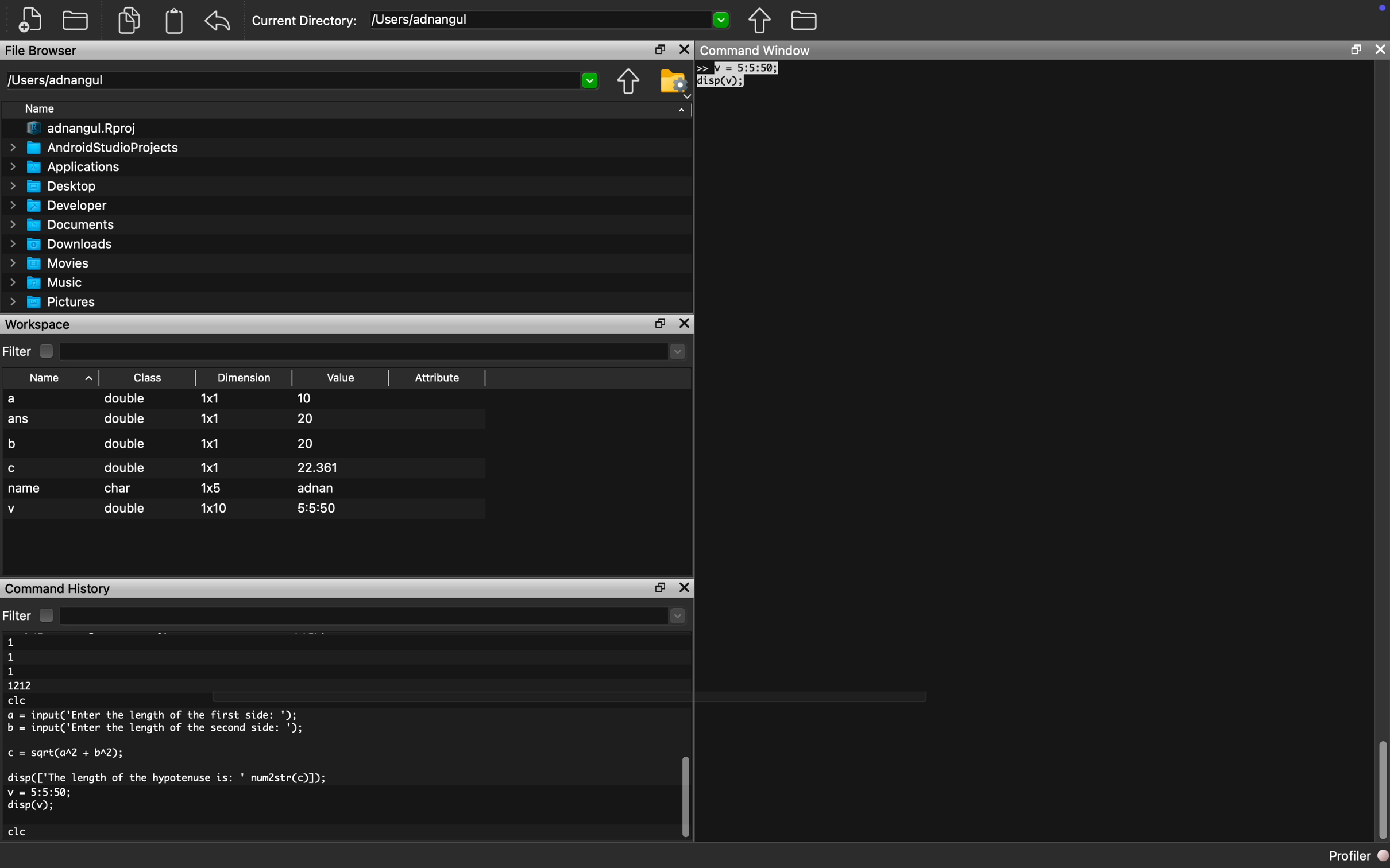  What do you see at coordinates (306, 443) in the screenshot?
I see `20` at bounding box center [306, 443].